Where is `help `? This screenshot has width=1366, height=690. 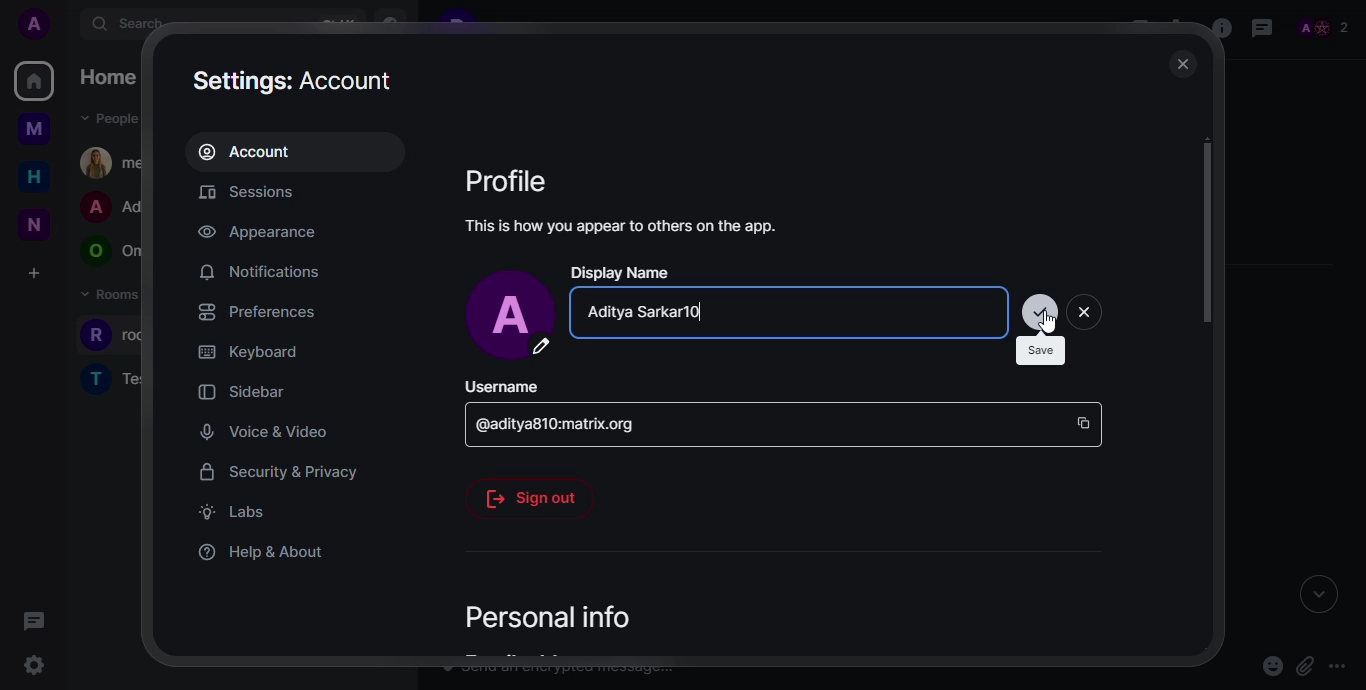
help  is located at coordinates (262, 551).